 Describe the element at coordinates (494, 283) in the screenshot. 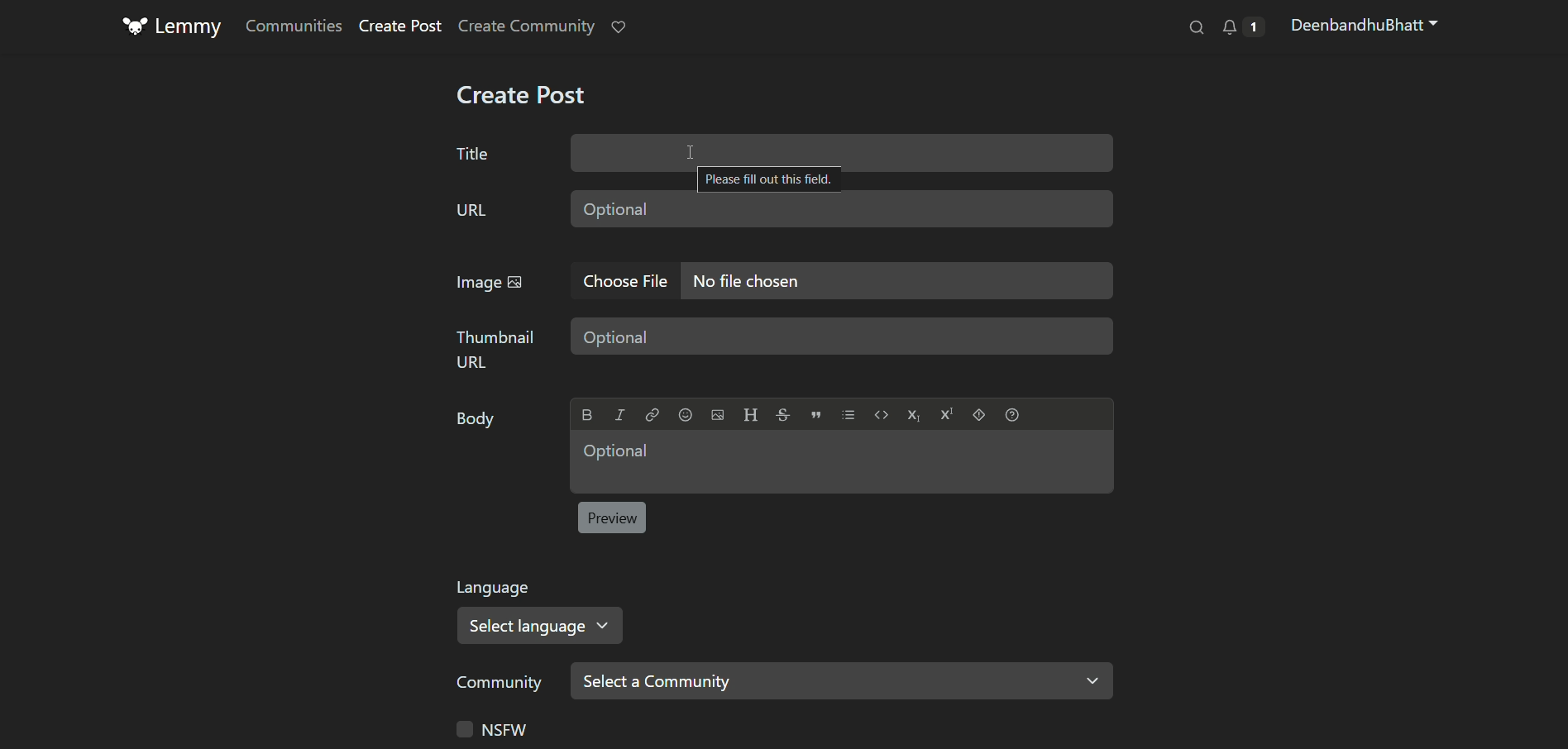

I see `image` at that location.